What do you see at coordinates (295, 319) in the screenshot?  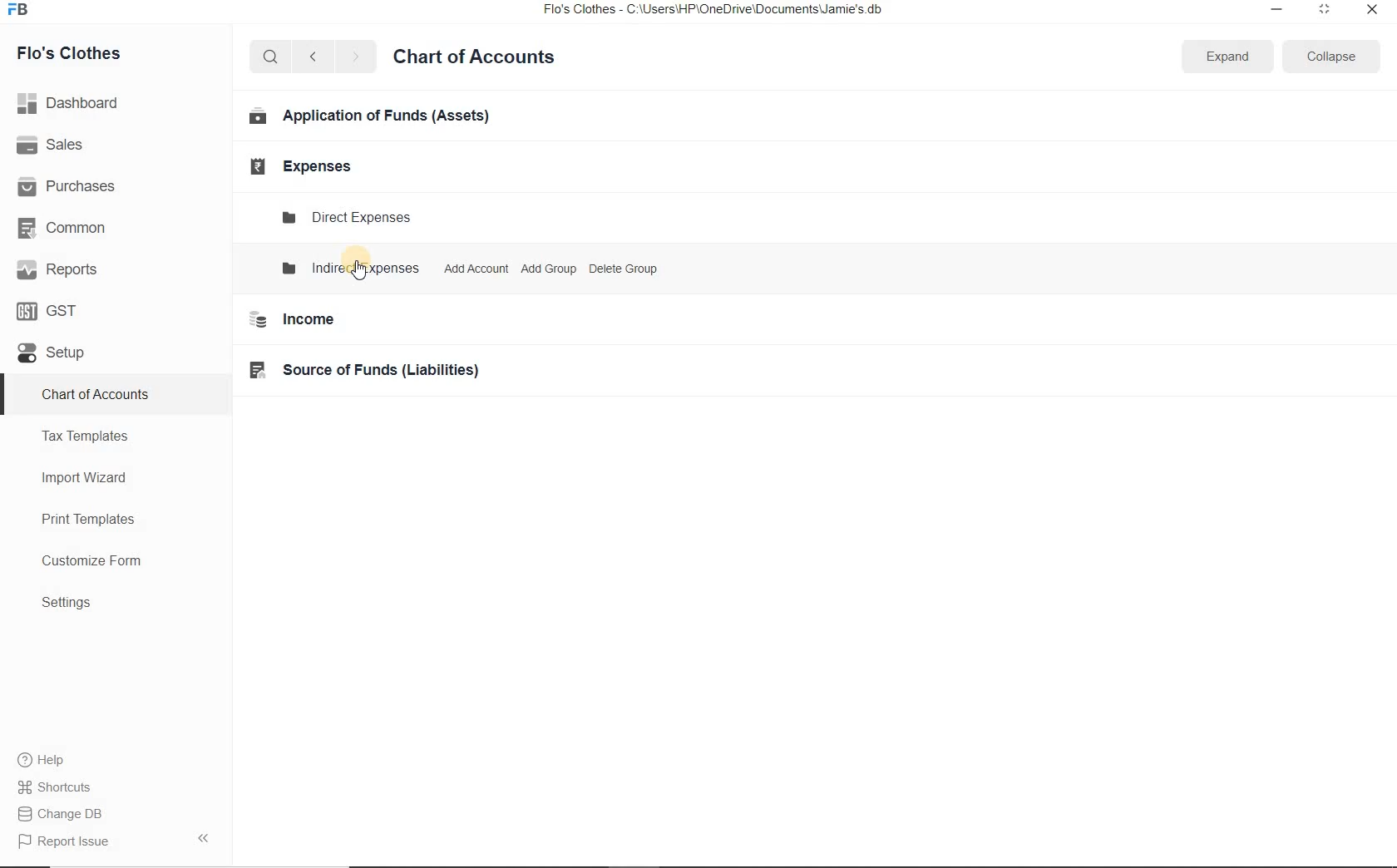 I see `Income` at bounding box center [295, 319].